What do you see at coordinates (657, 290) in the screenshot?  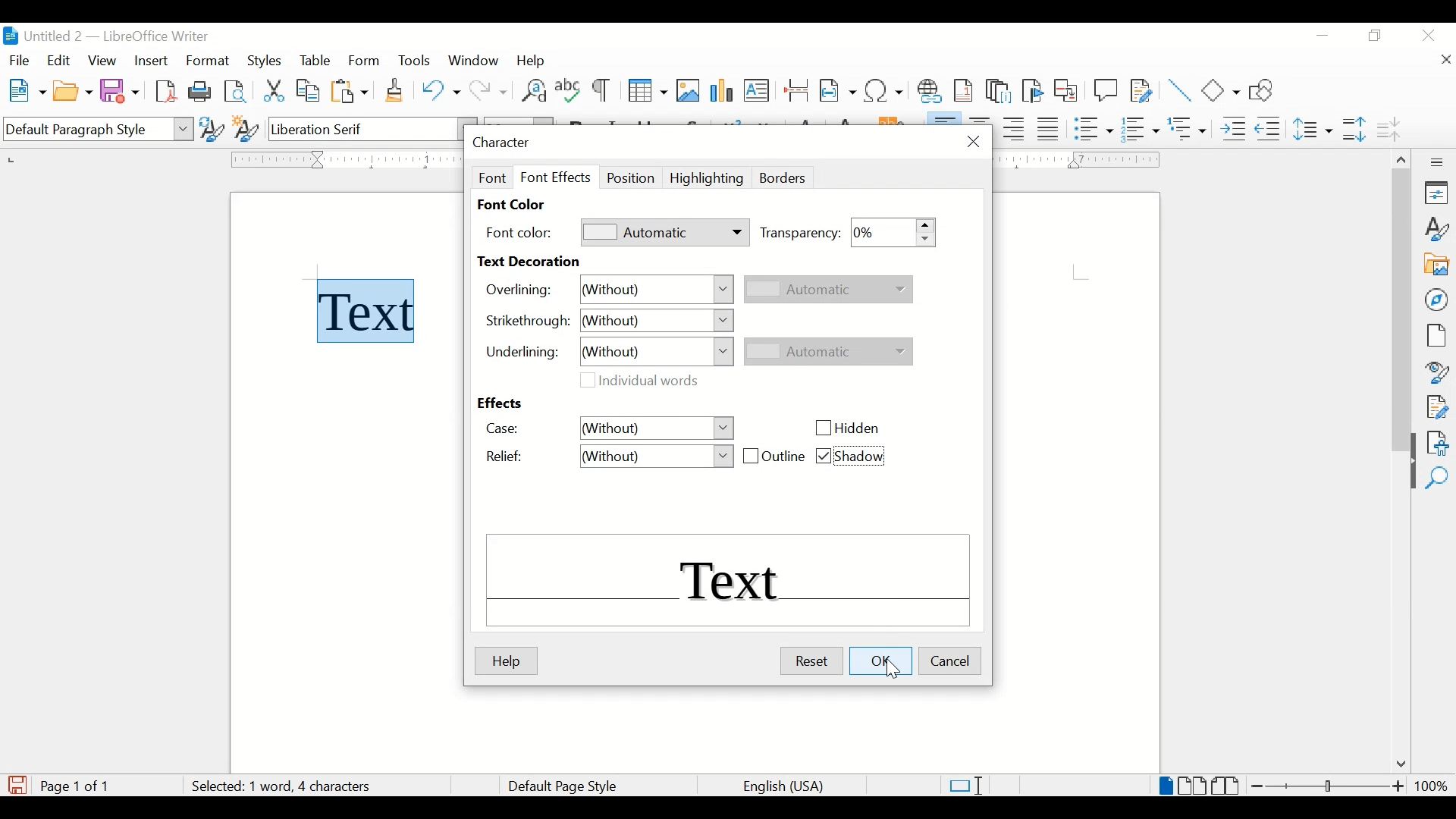 I see `without dropdown menu` at bounding box center [657, 290].